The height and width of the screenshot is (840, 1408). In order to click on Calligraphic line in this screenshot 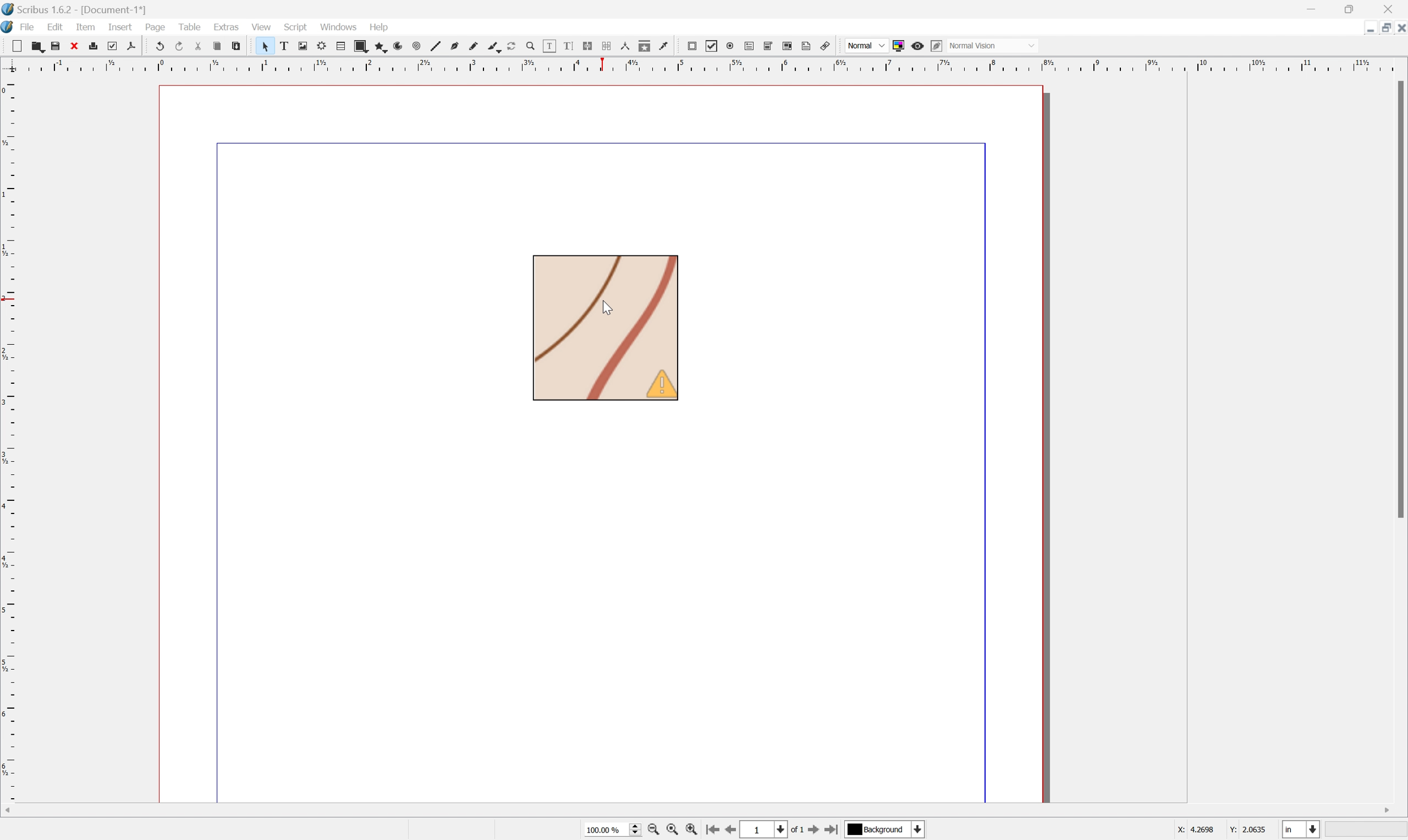, I will do `click(497, 47)`.